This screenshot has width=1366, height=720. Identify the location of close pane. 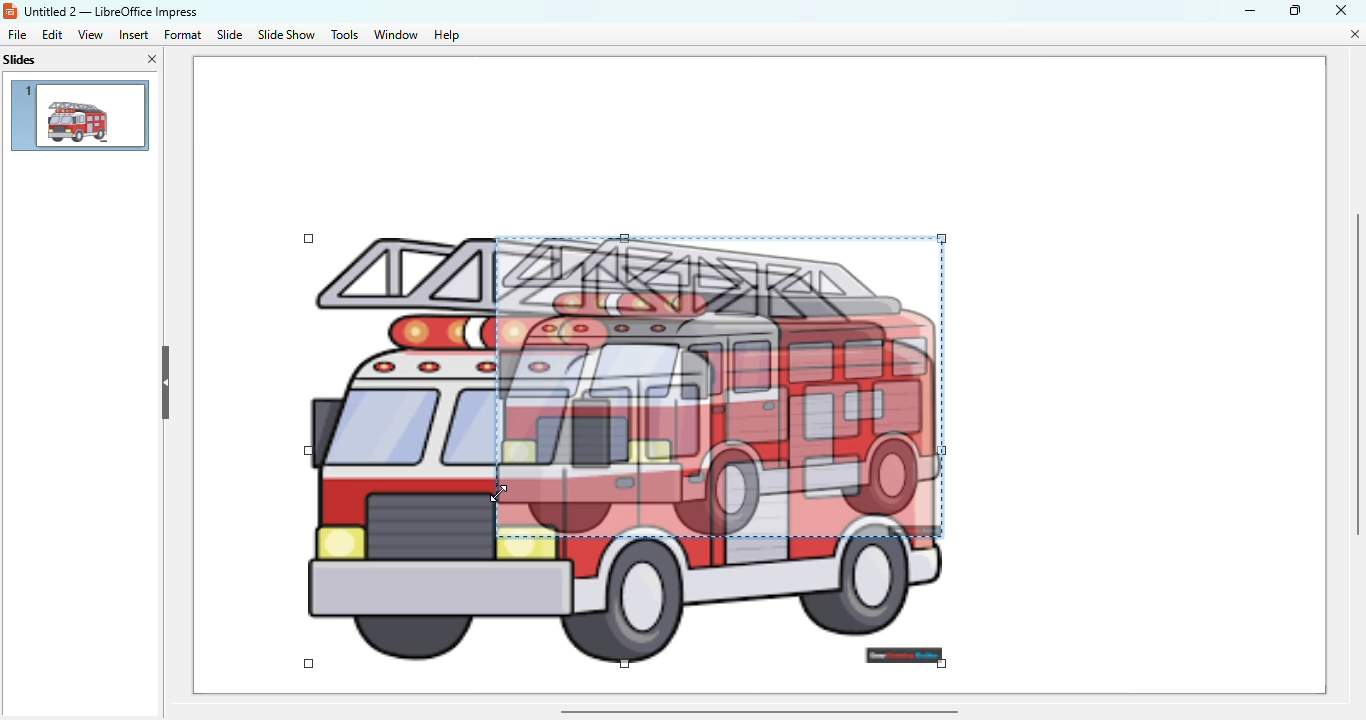
(153, 58).